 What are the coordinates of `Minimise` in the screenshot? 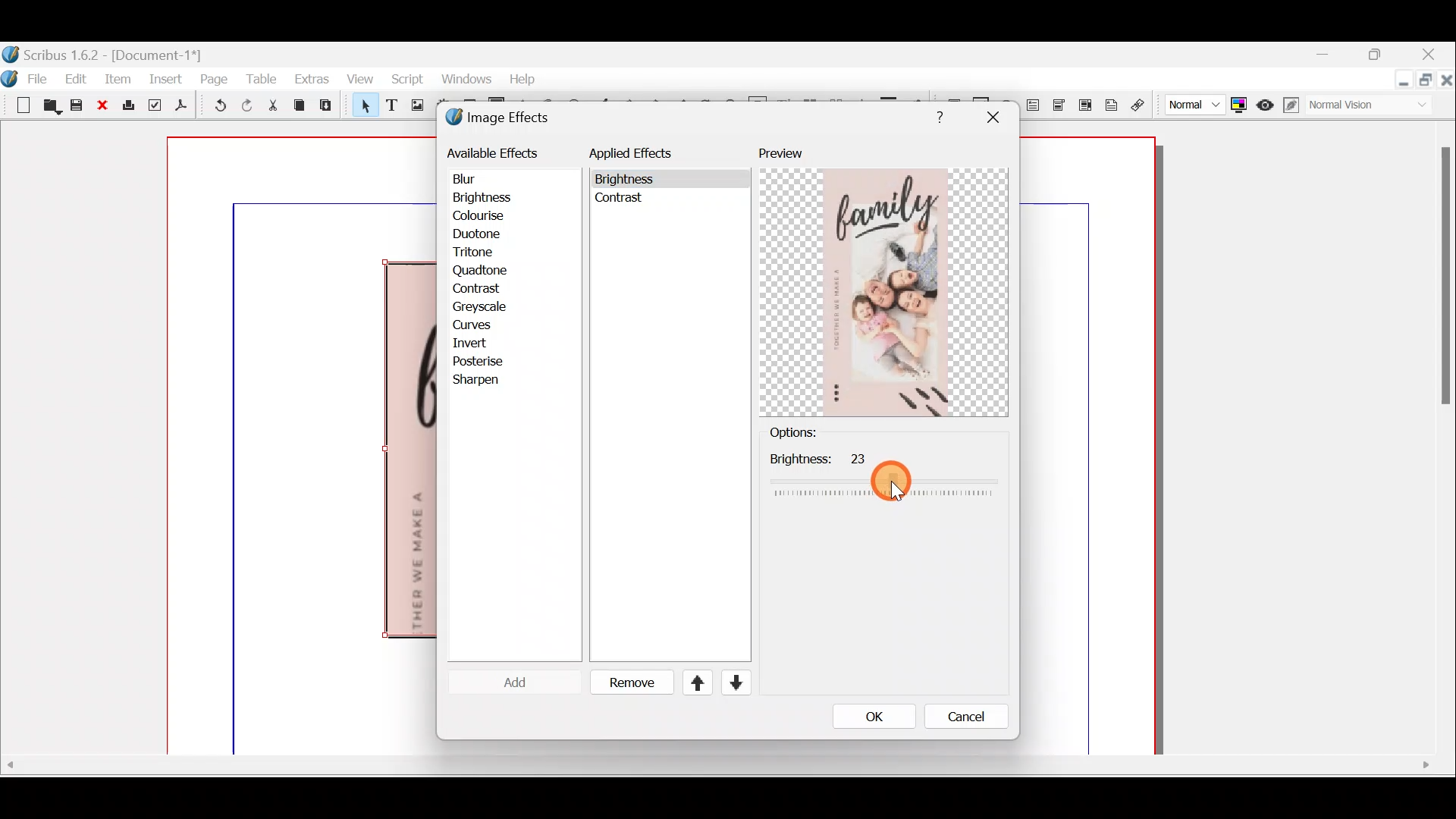 It's located at (1402, 81).